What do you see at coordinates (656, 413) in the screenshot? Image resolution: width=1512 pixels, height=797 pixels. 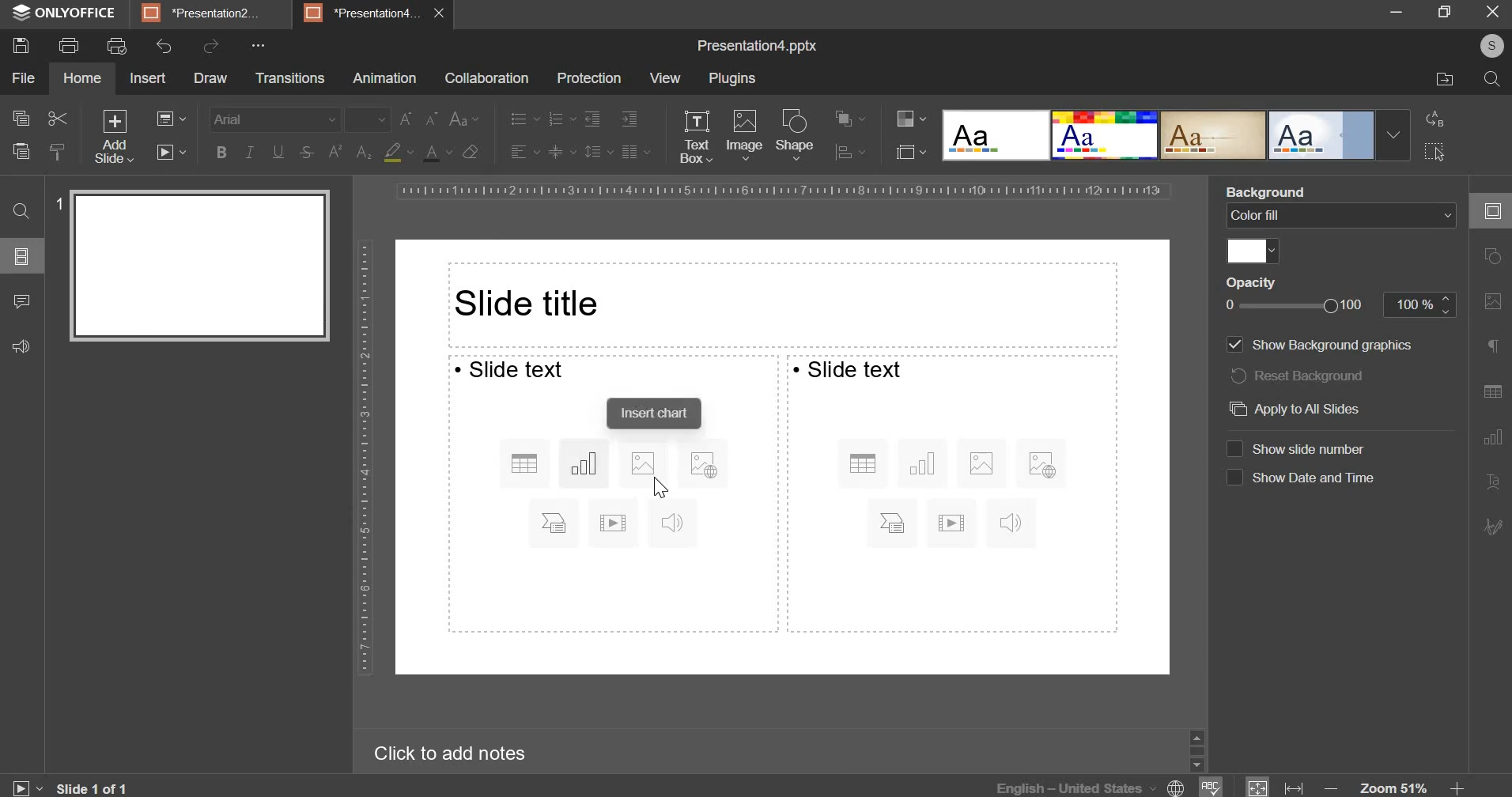 I see `insert chart` at bounding box center [656, 413].